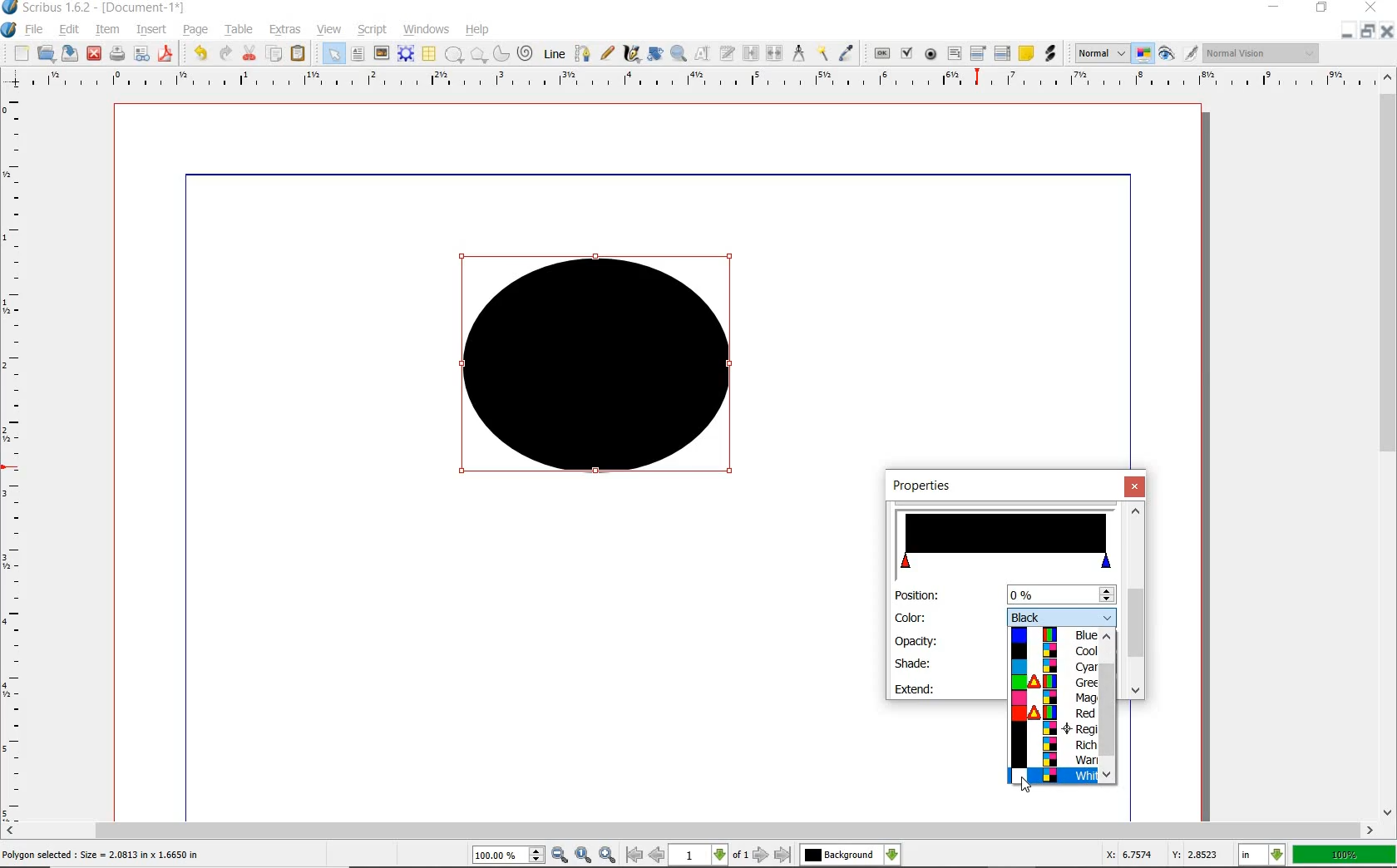  Describe the element at coordinates (631, 54) in the screenshot. I see `CALLIGRAPHIC LINE` at that location.